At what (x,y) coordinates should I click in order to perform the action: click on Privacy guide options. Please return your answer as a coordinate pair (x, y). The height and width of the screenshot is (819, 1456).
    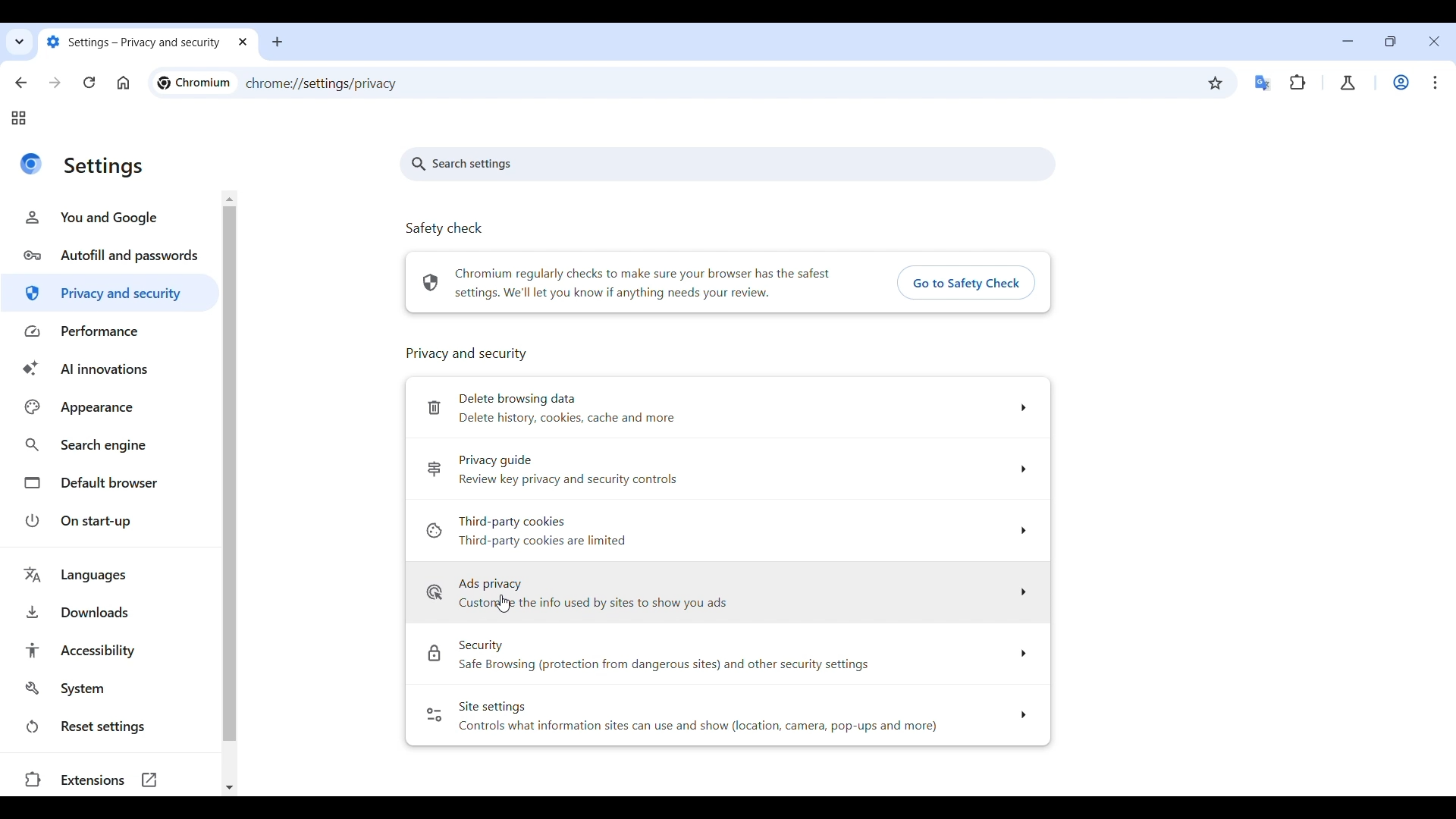
    Looking at the image, I should click on (726, 470).